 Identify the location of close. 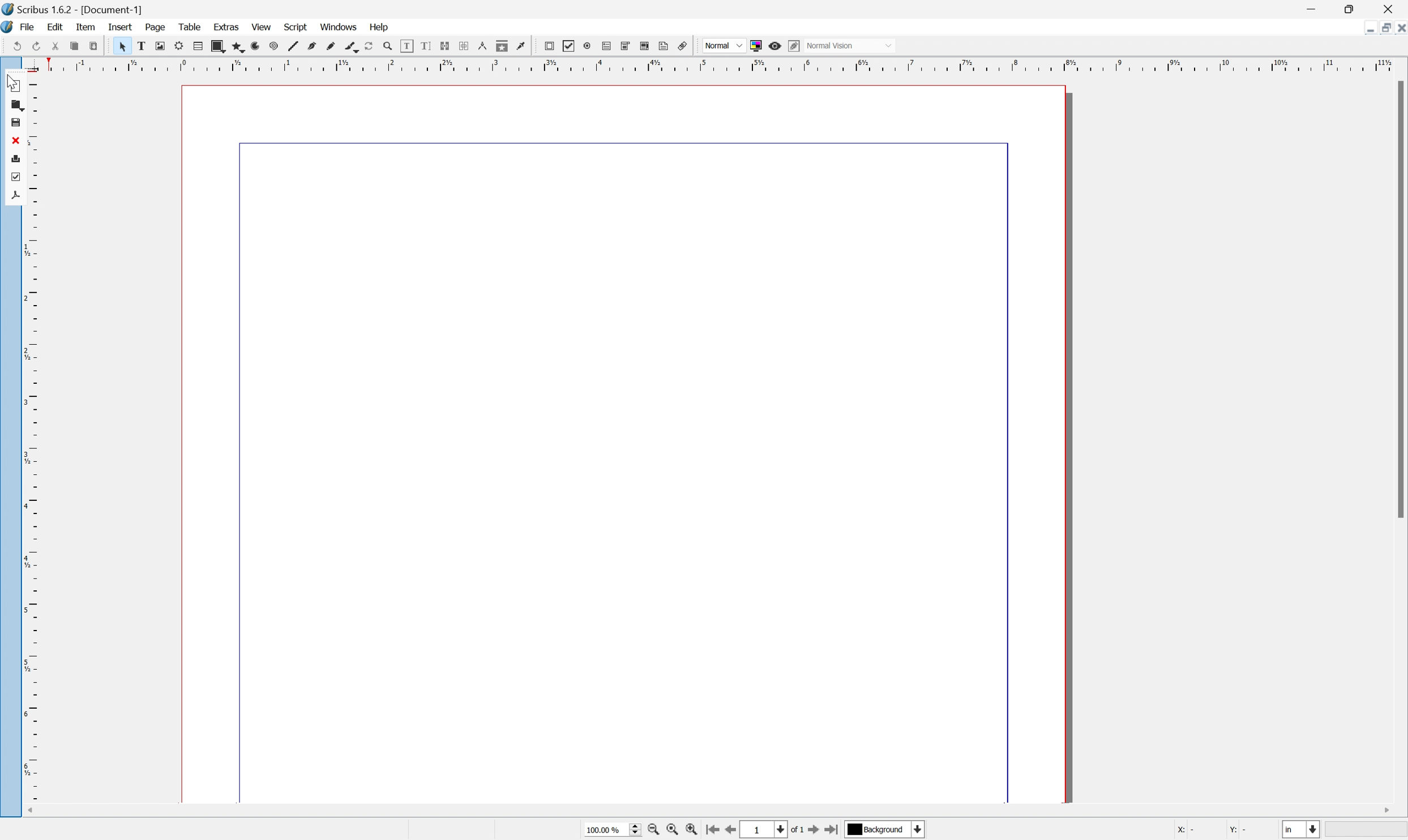
(73, 45).